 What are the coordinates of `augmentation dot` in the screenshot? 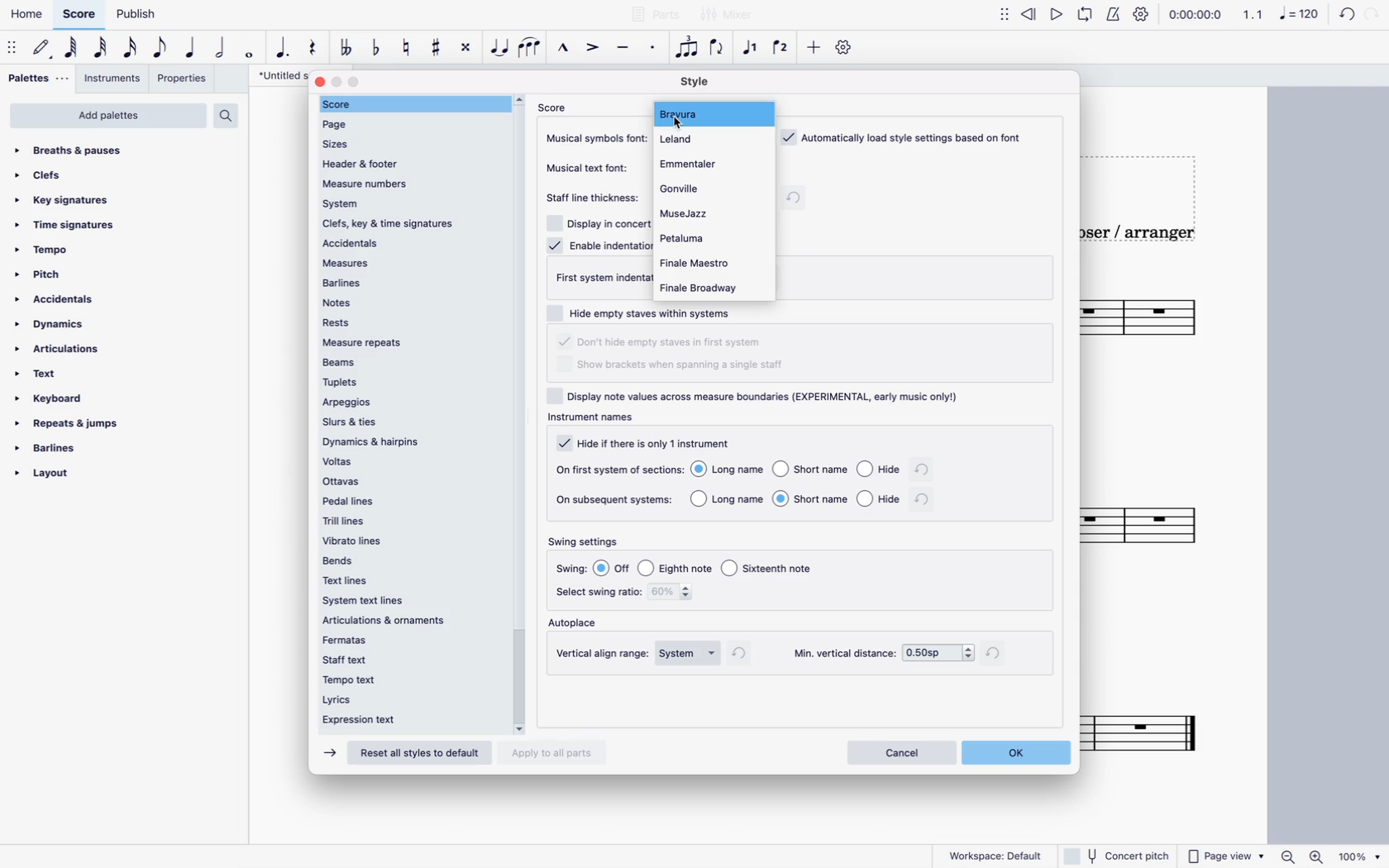 It's located at (283, 51).